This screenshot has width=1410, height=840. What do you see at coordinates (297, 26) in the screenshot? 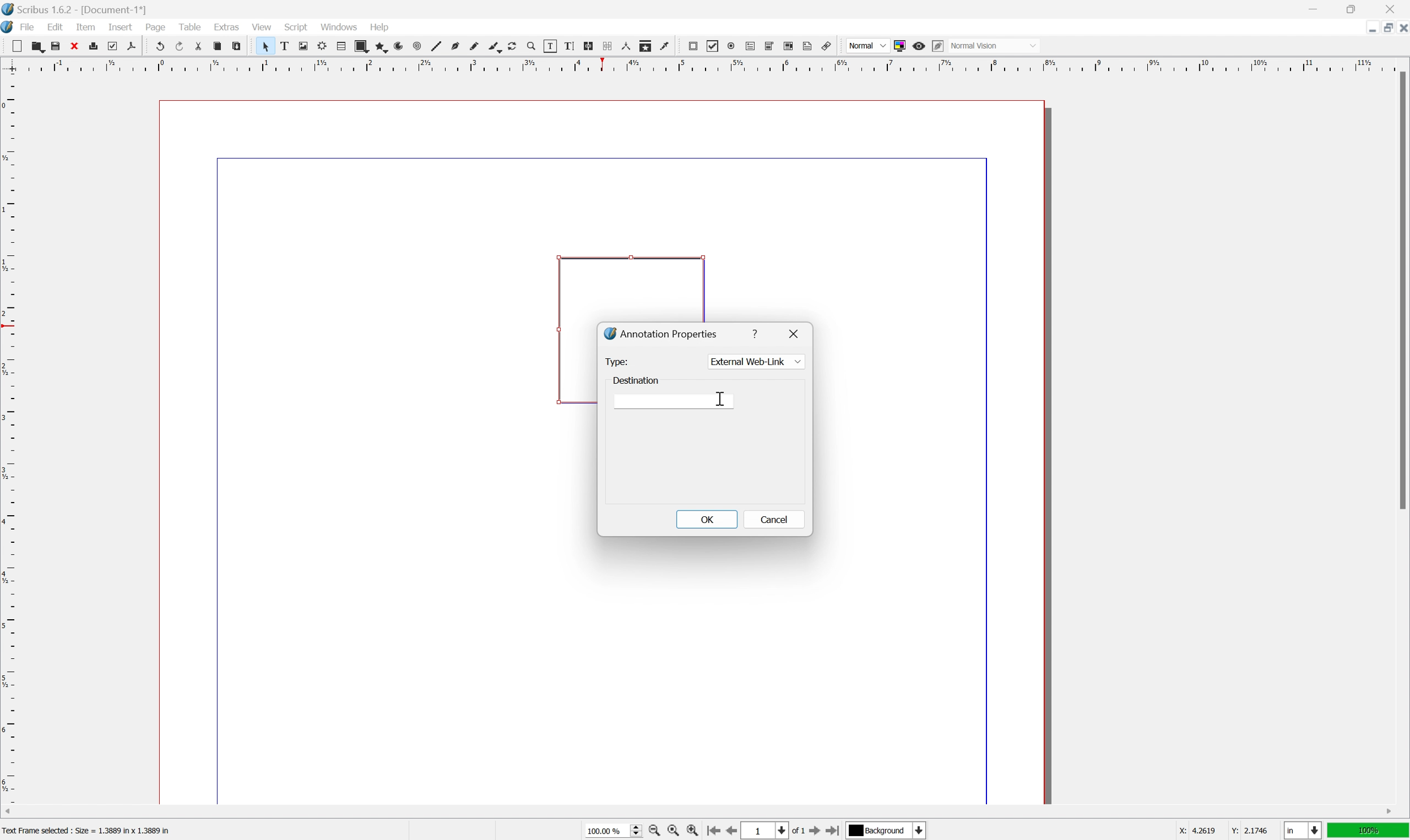
I see `Script` at bounding box center [297, 26].